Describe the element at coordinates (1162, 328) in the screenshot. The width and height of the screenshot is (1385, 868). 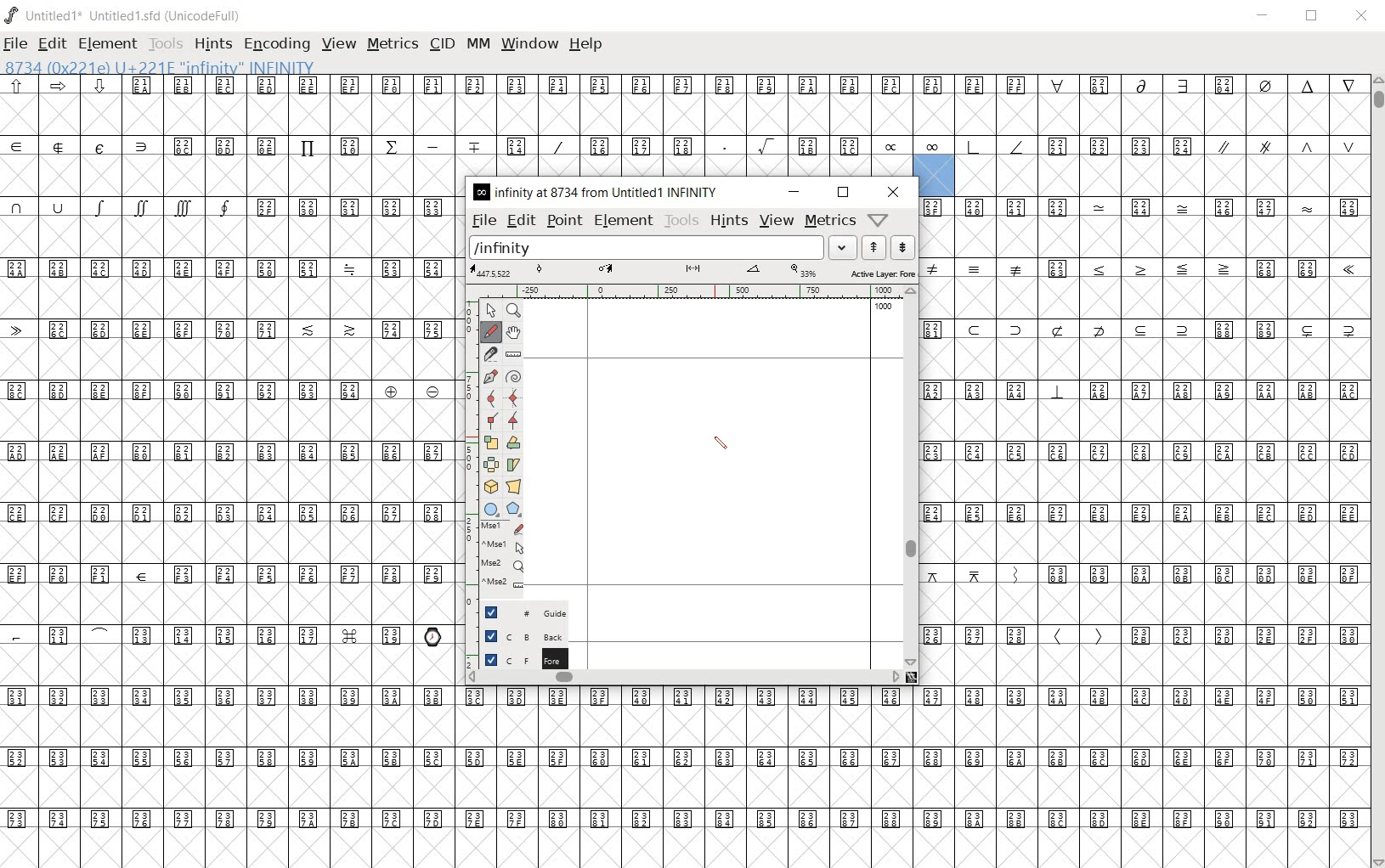
I see `Unicode code points` at that location.